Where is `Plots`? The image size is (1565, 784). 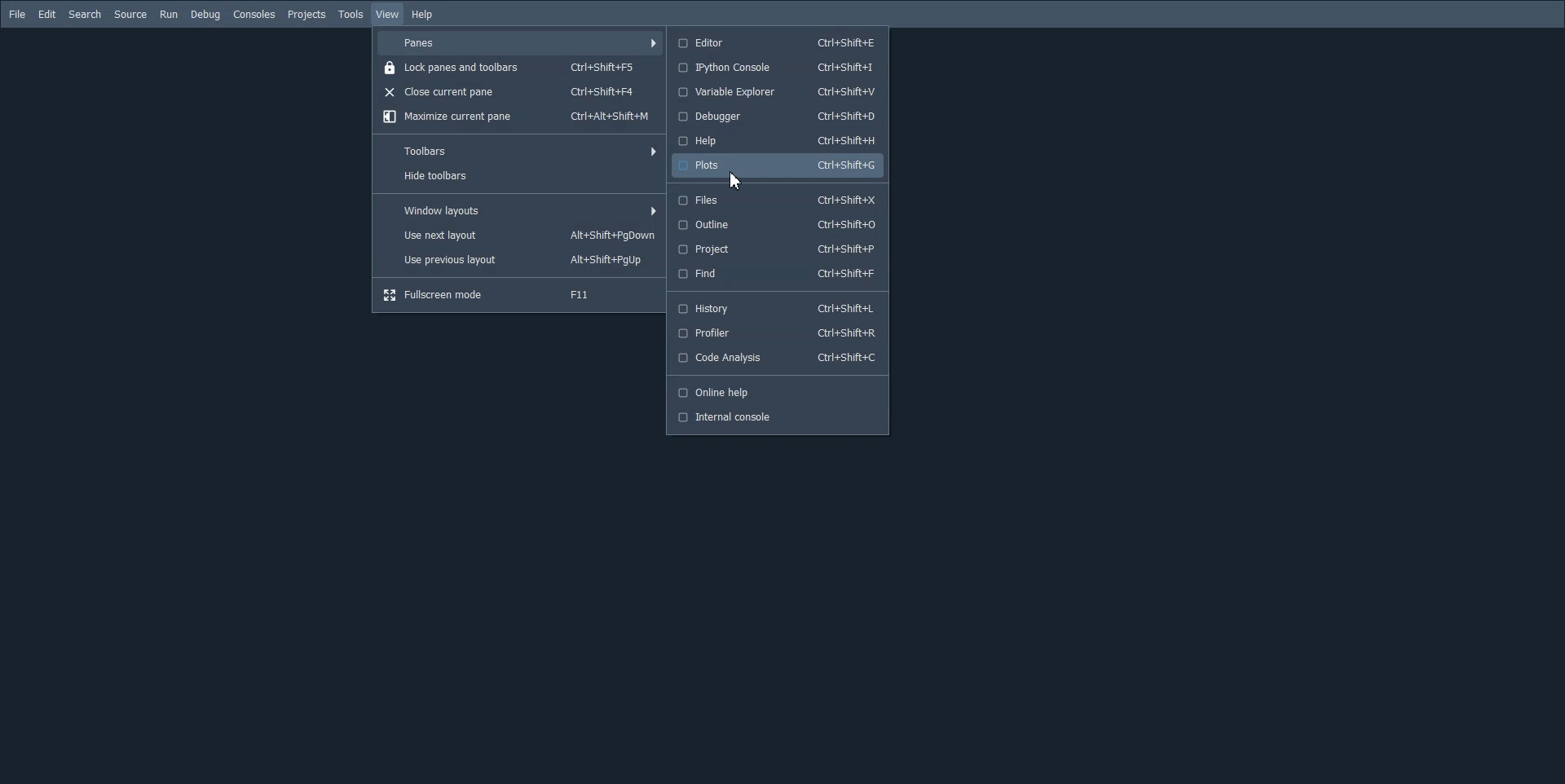
Plots is located at coordinates (779, 165).